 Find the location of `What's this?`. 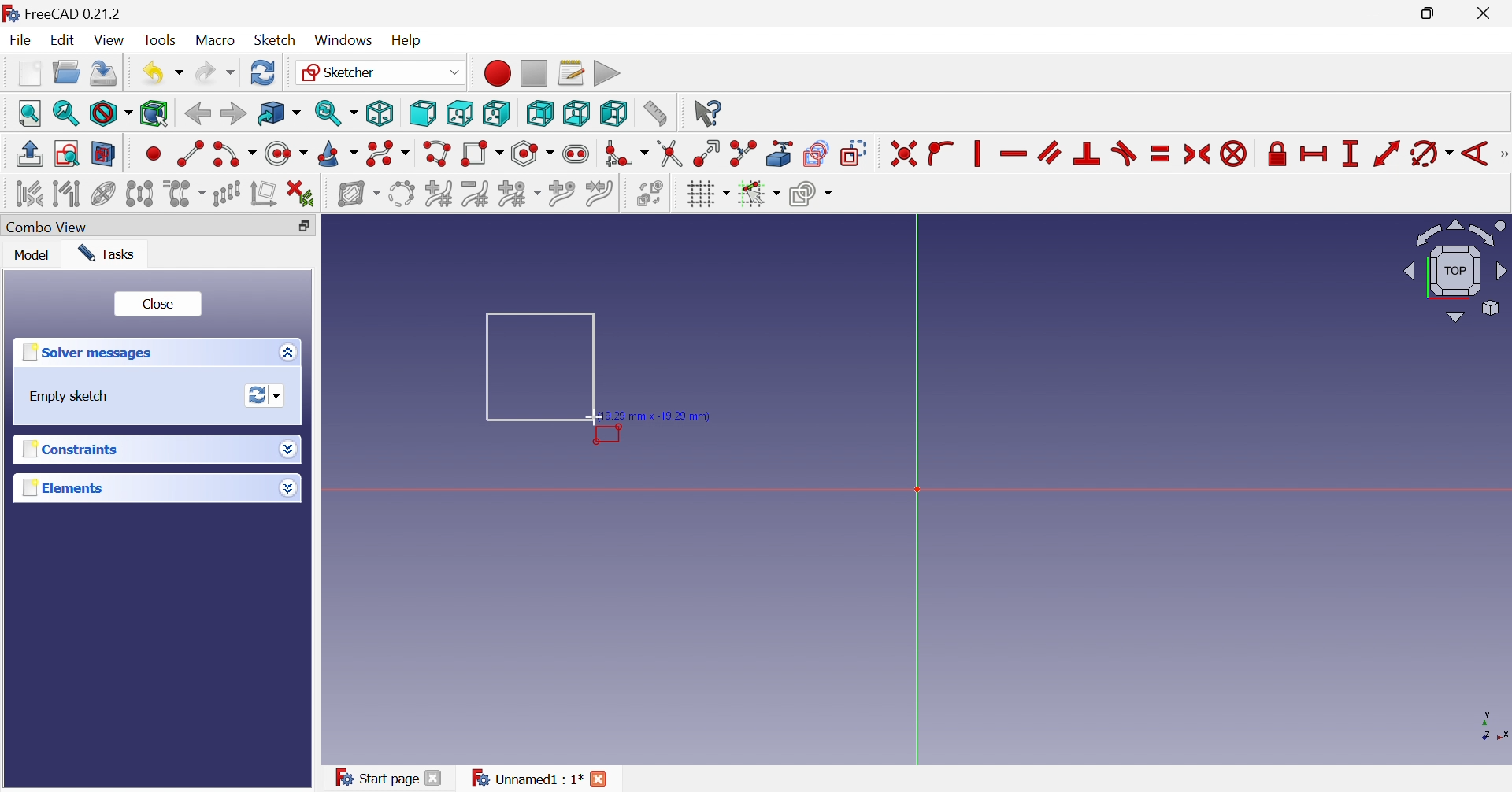

What's this? is located at coordinates (706, 113).